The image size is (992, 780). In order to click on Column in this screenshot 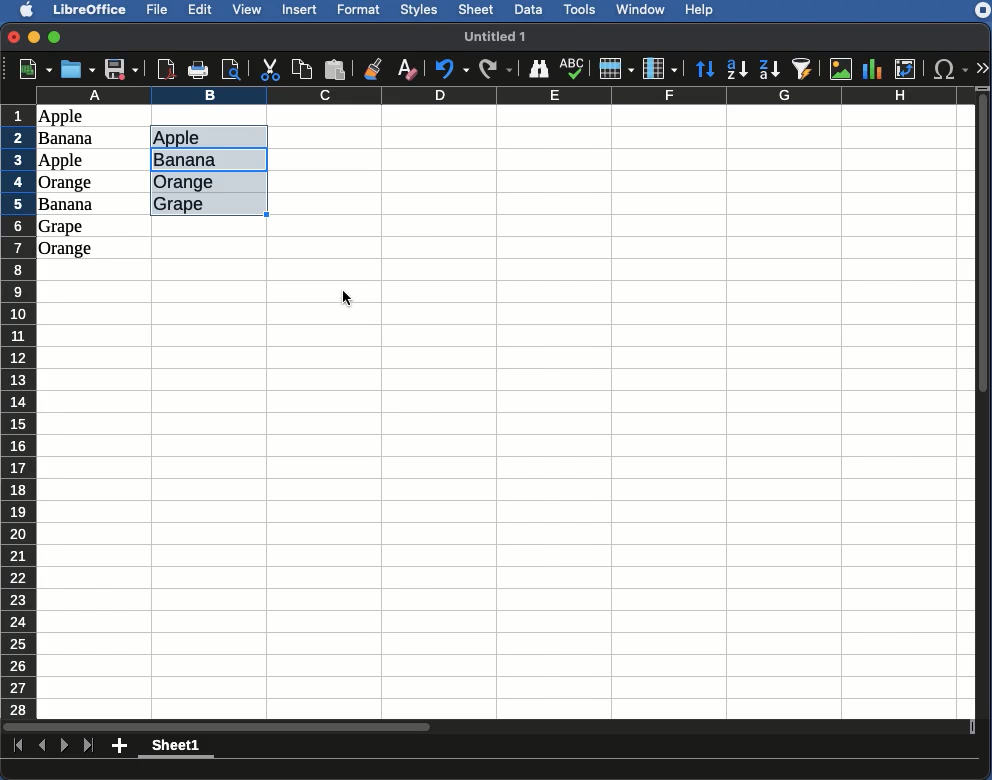, I will do `click(660, 69)`.